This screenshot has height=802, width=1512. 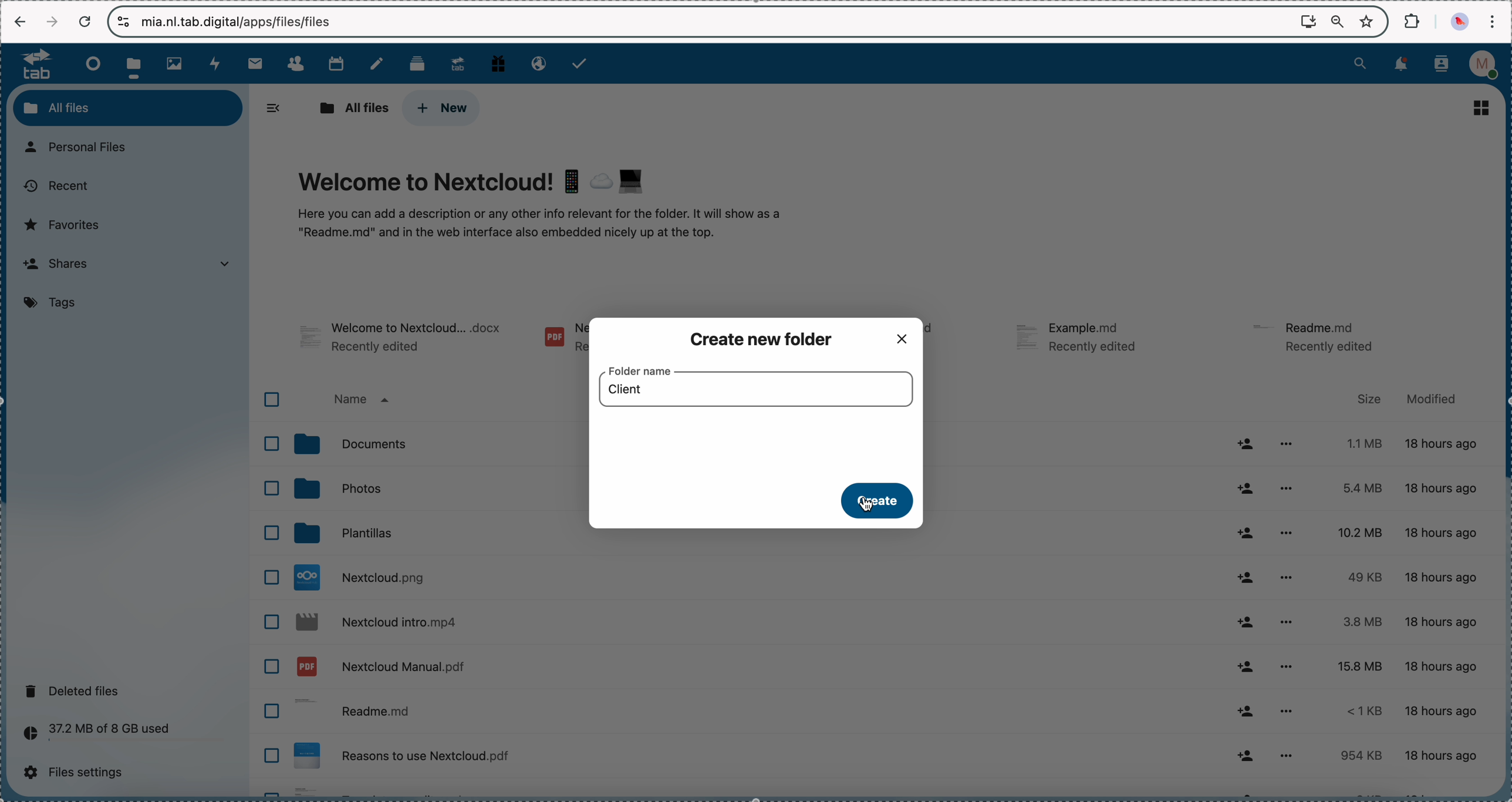 I want to click on tags, so click(x=54, y=304).